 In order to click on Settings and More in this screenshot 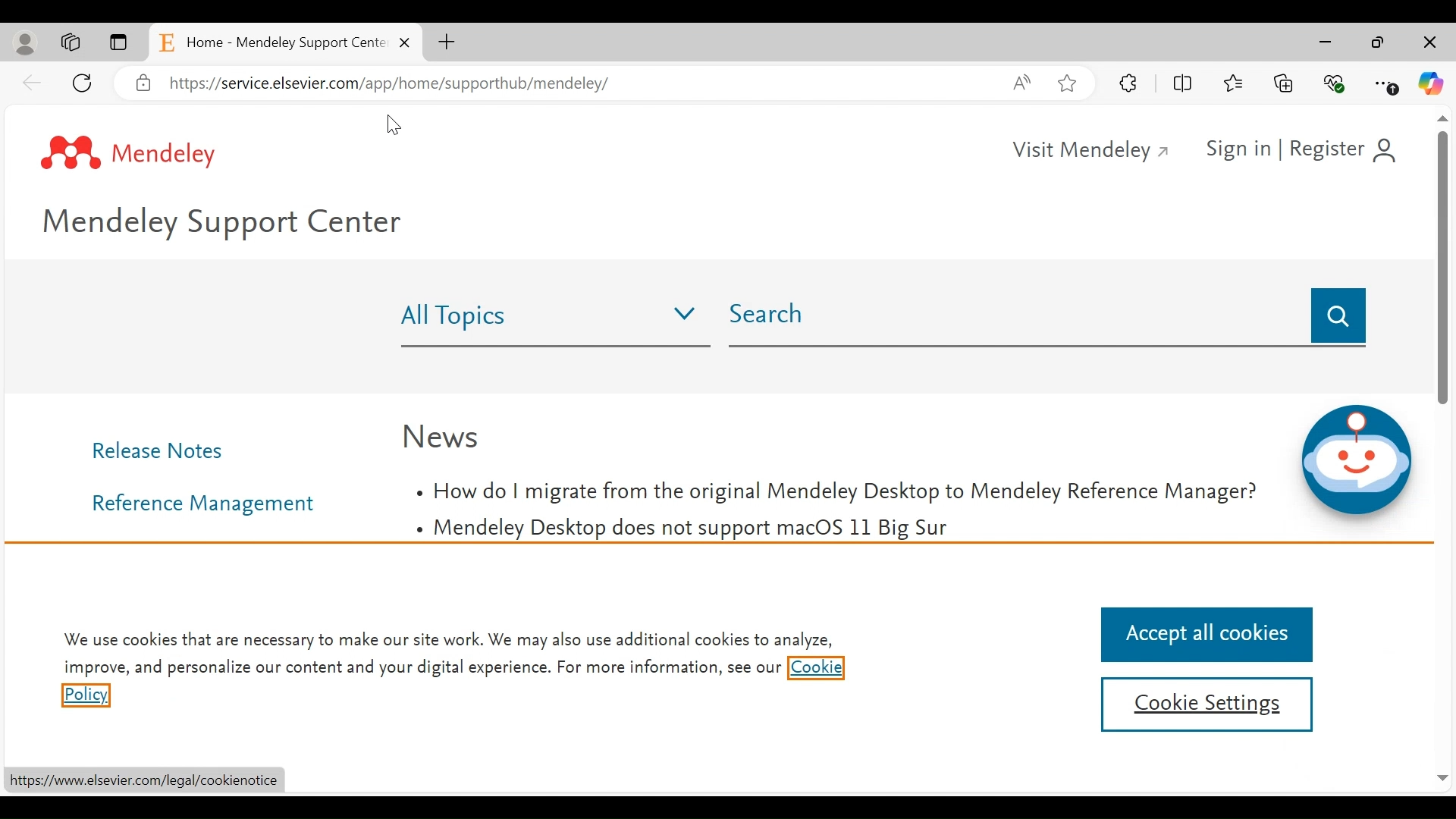, I will do `click(1389, 84)`.